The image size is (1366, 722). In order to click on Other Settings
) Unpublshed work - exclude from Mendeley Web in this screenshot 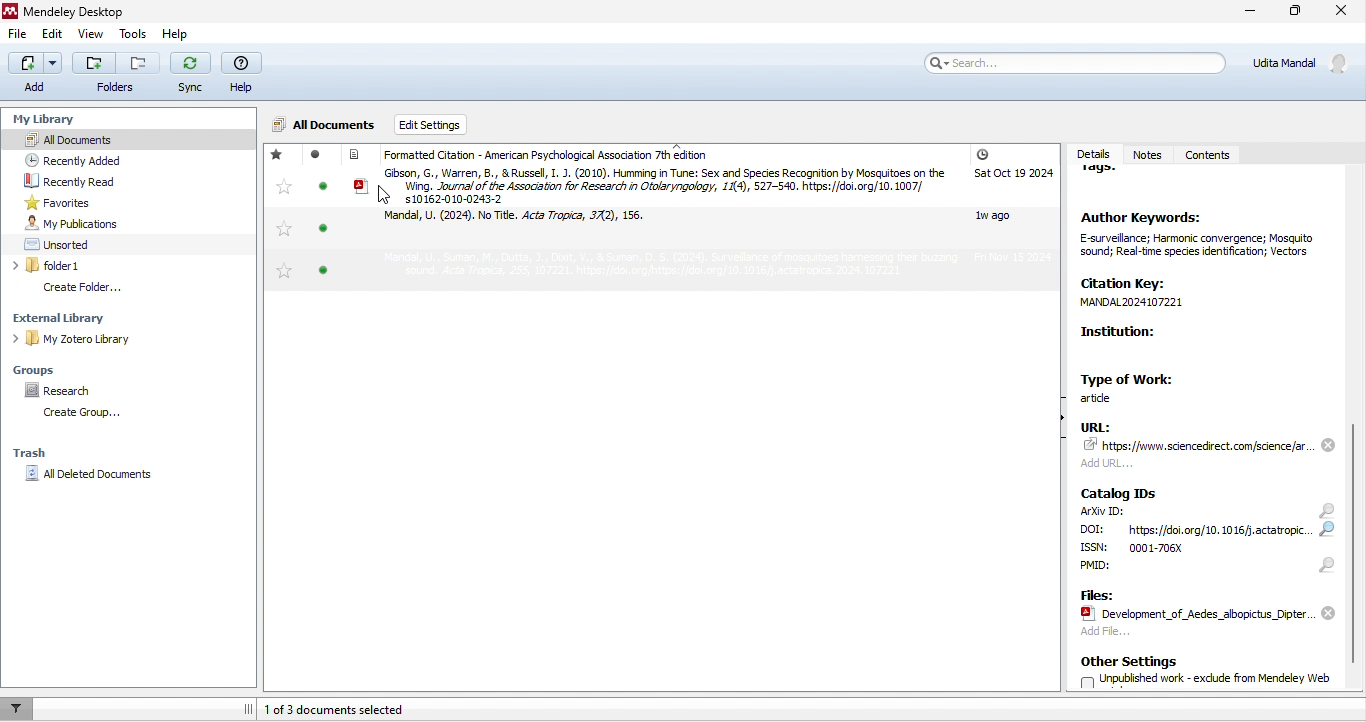, I will do `click(1207, 673)`.